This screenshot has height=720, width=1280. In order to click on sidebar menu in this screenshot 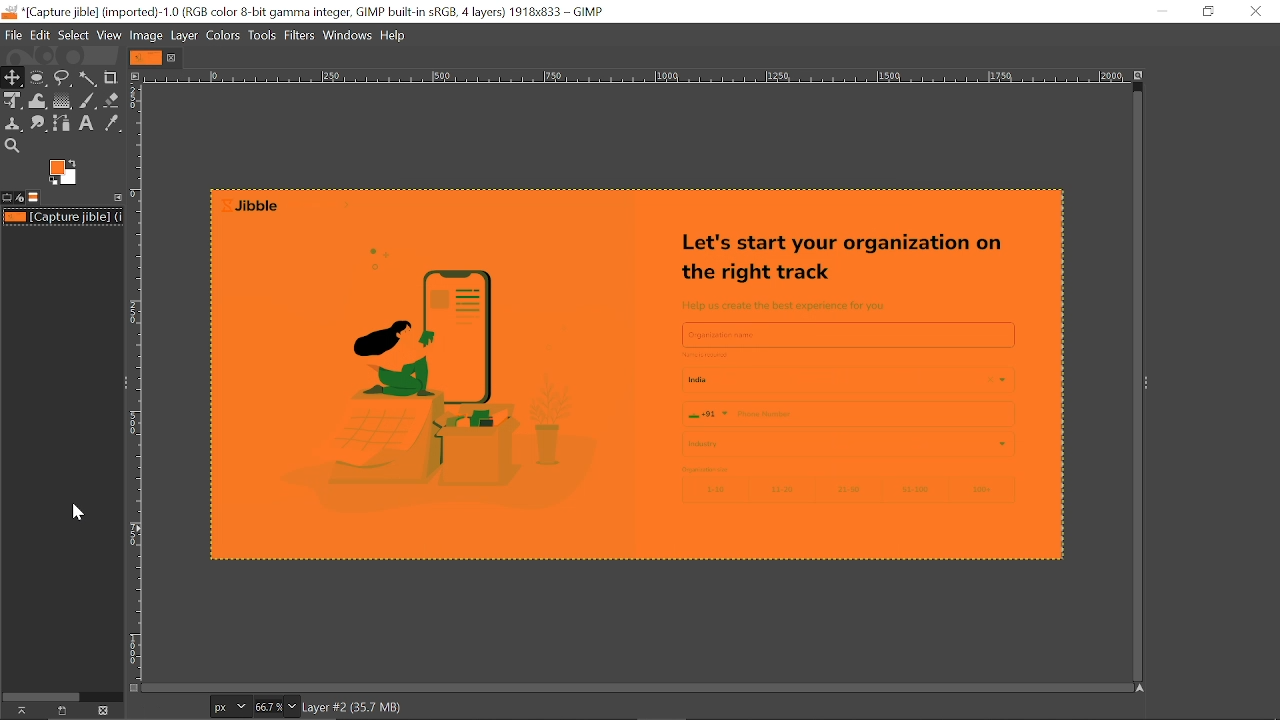, I will do `click(1146, 381)`.